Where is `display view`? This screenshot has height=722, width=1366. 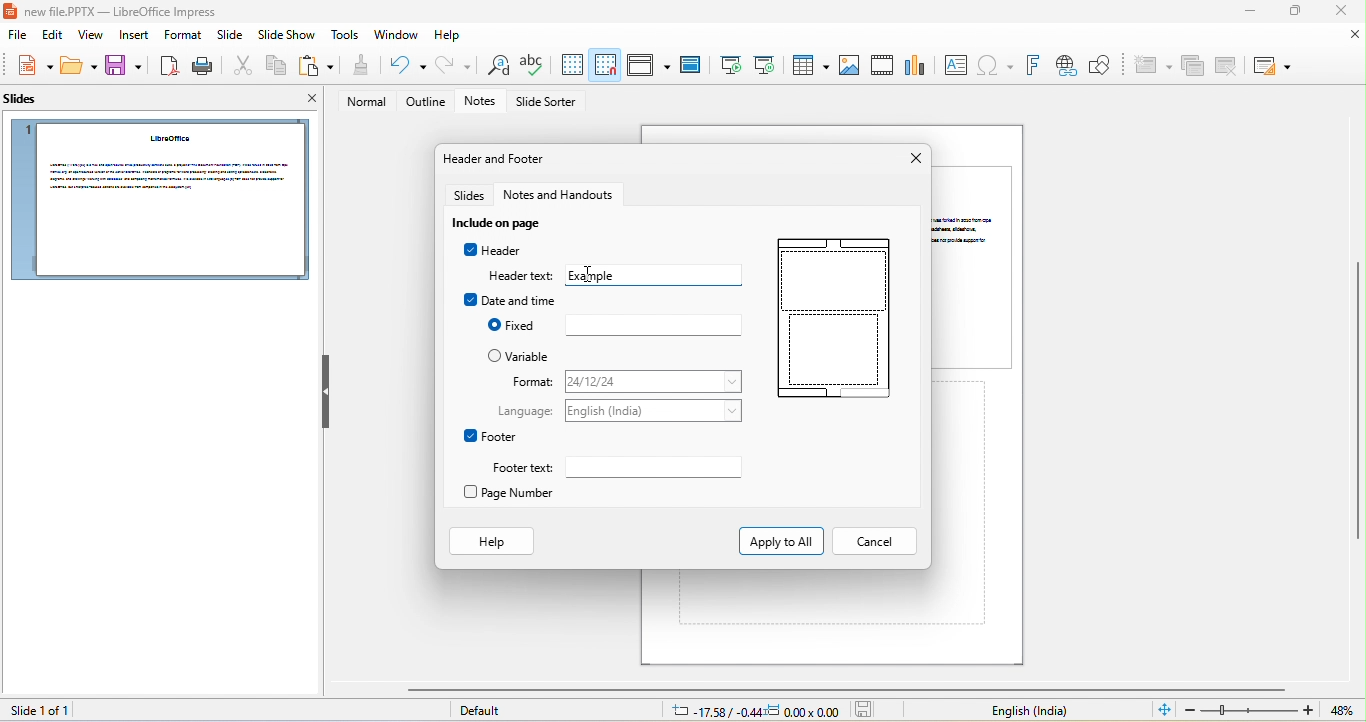
display view is located at coordinates (648, 65).